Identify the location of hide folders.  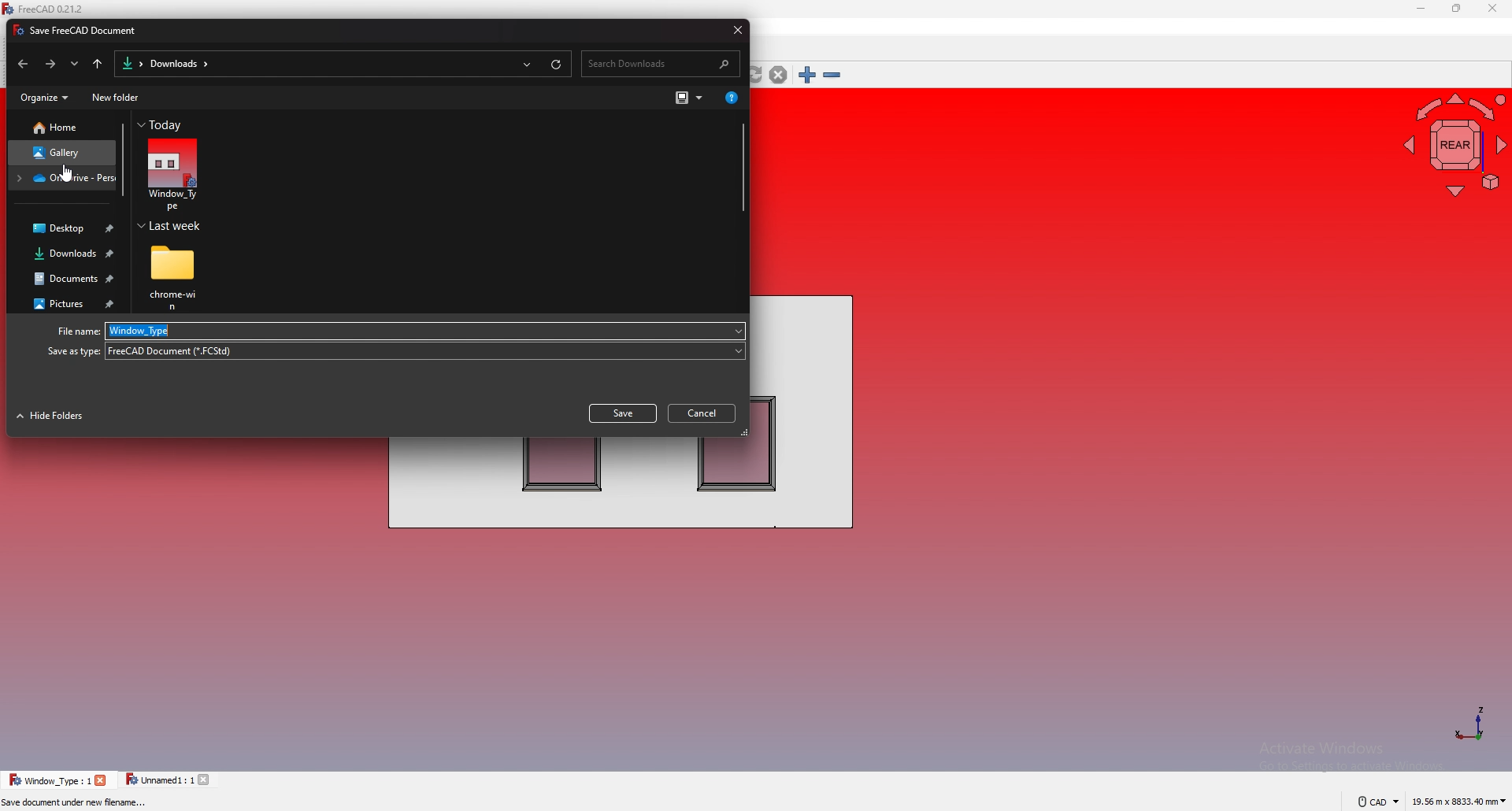
(54, 417).